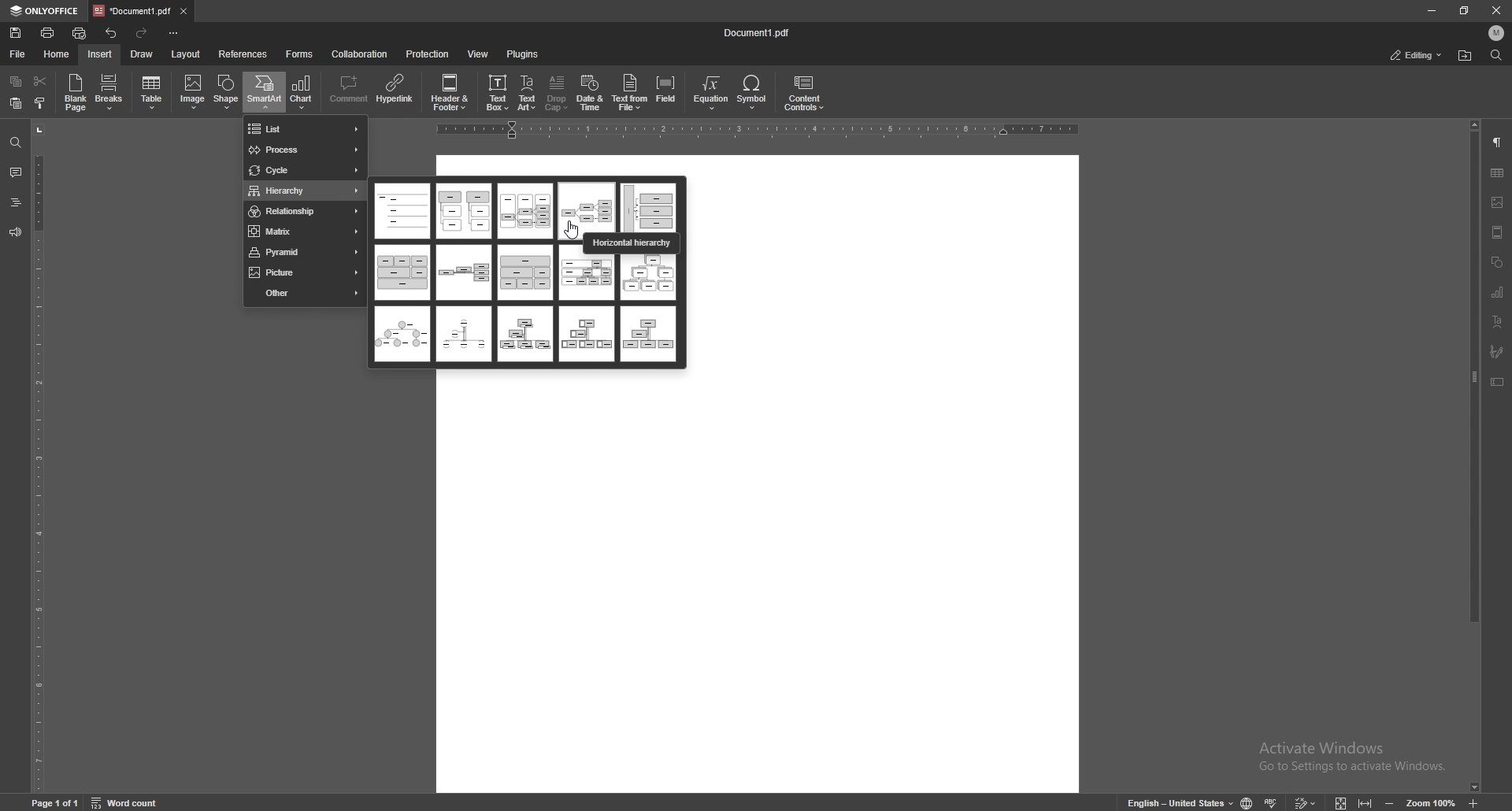 Image resolution: width=1512 pixels, height=811 pixels. What do you see at coordinates (1497, 351) in the screenshot?
I see `signature` at bounding box center [1497, 351].